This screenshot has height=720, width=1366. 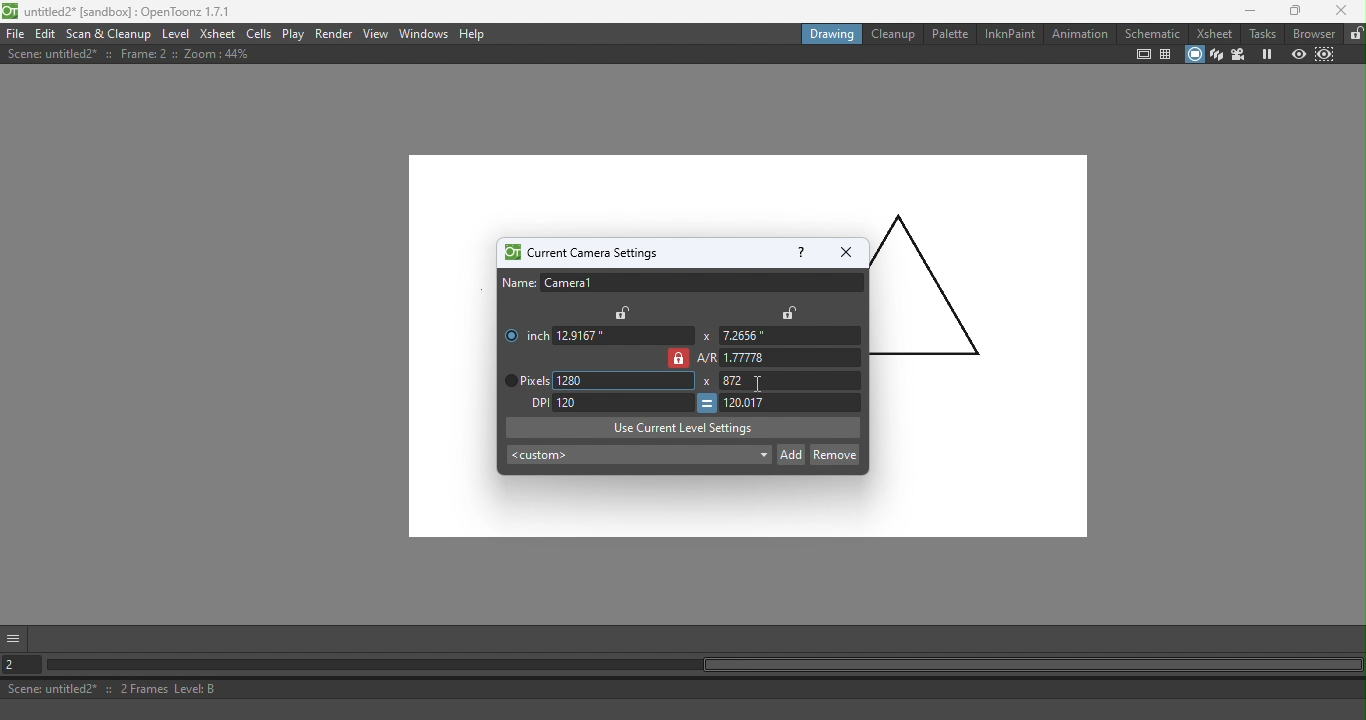 What do you see at coordinates (706, 403) in the screenshot?
I see `Force squared pixel` at bounding box center [706, 403].